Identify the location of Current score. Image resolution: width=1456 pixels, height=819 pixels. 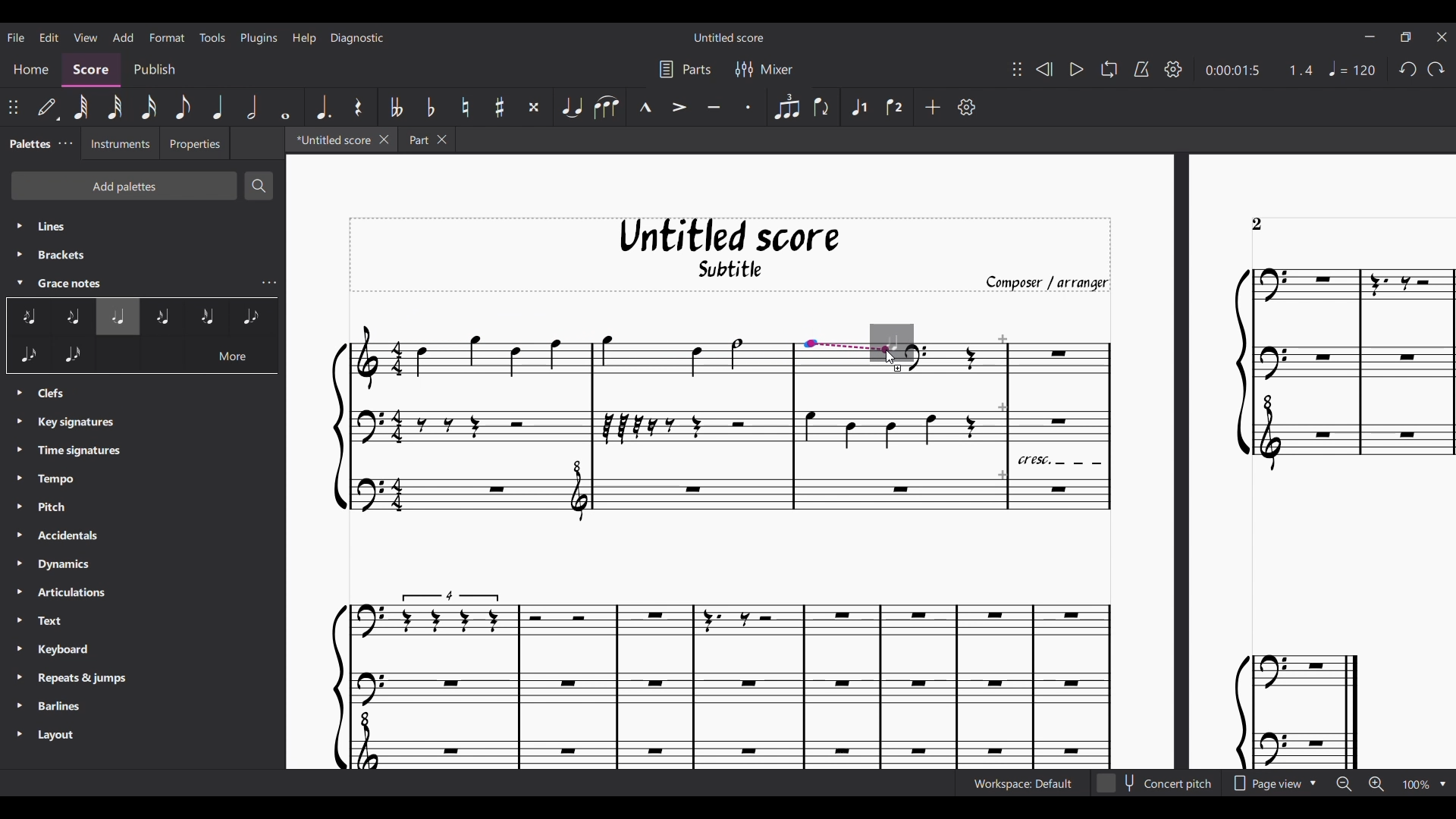
(730, 572).